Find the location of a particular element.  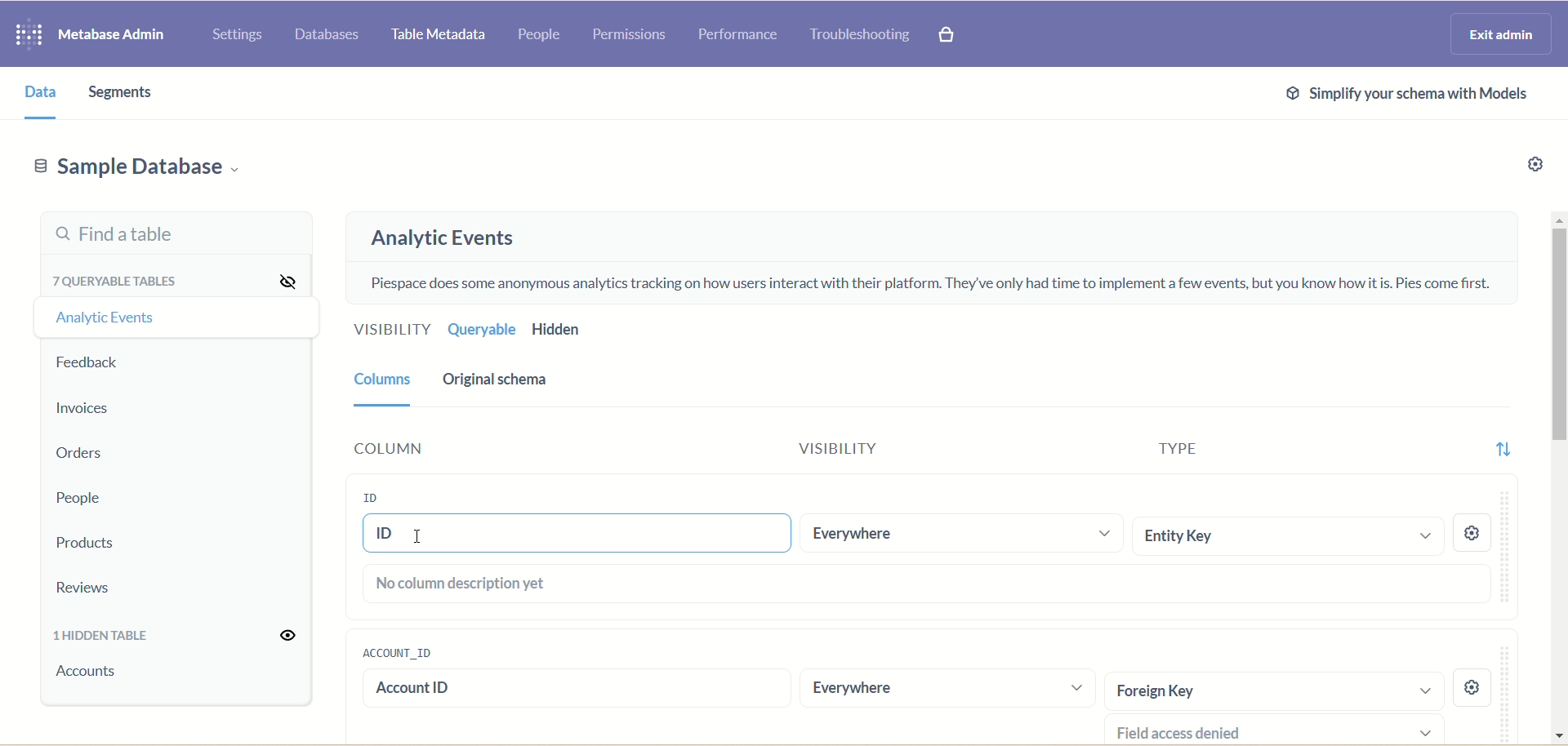

Foreign Key is located at coordinates (1270, 690).